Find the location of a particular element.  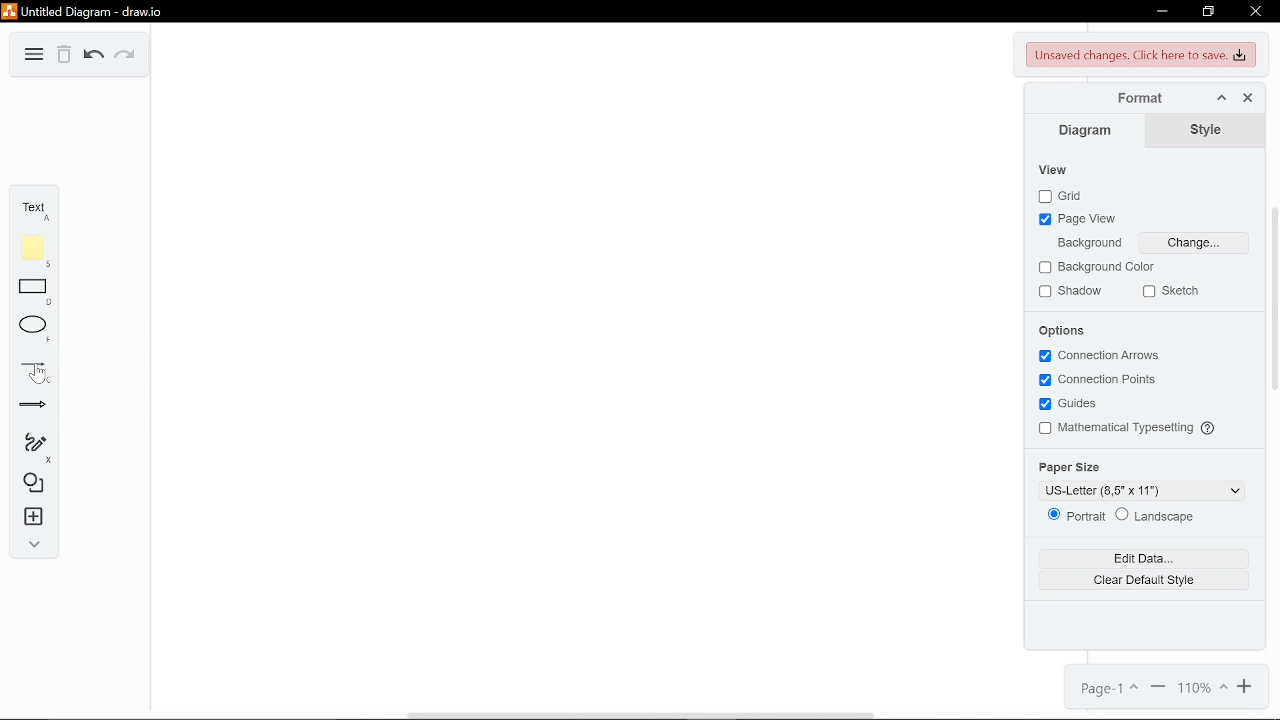

Connection points is located at coordinates (1102, 381).